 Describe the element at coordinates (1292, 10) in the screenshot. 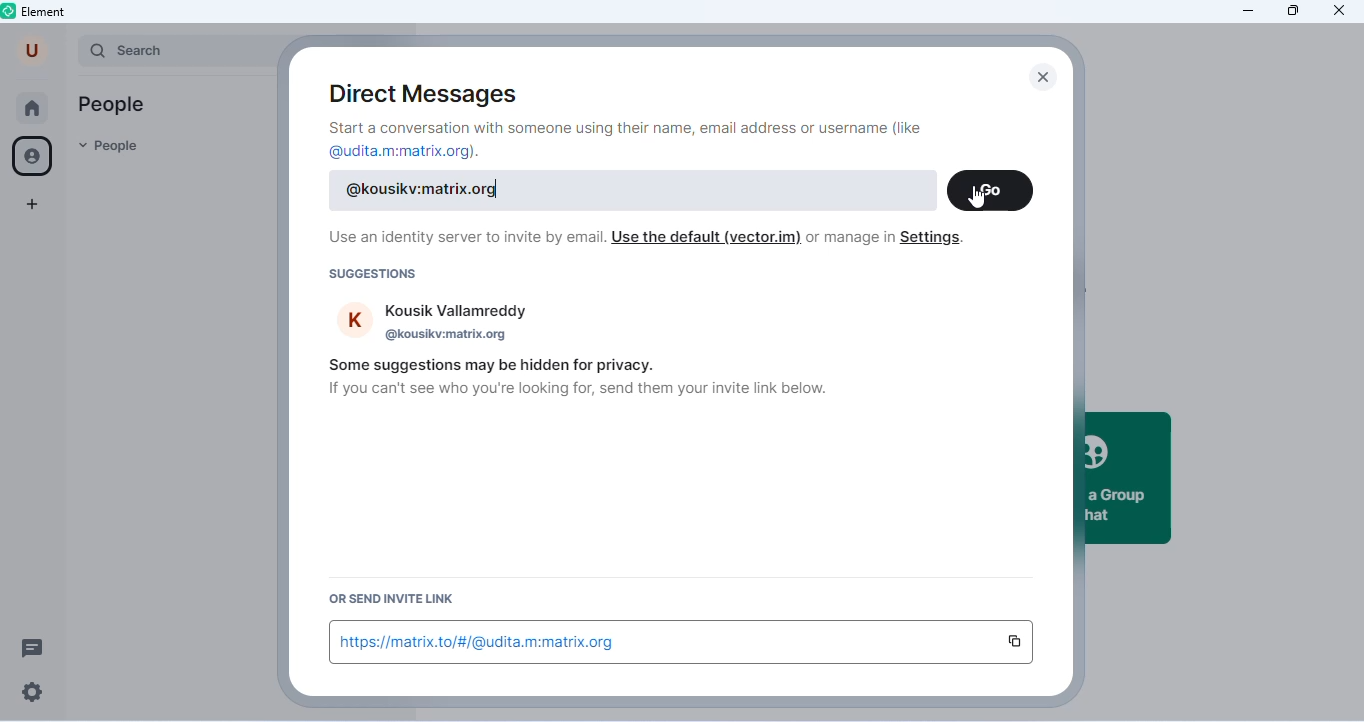

I see `maximize` at that location.